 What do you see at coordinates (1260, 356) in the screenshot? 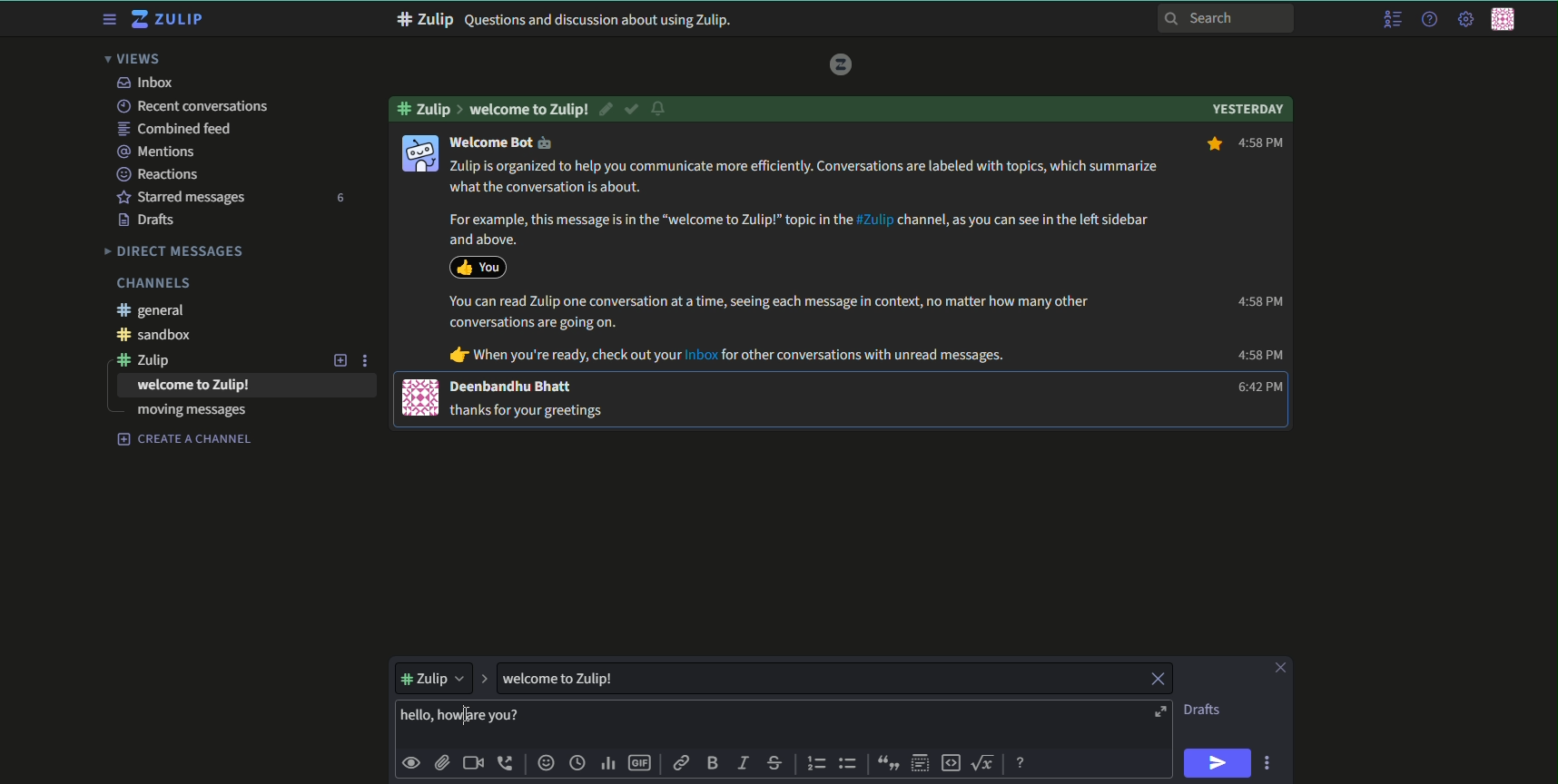
I see `4:58 PM` at bounding box center [1260, 356].